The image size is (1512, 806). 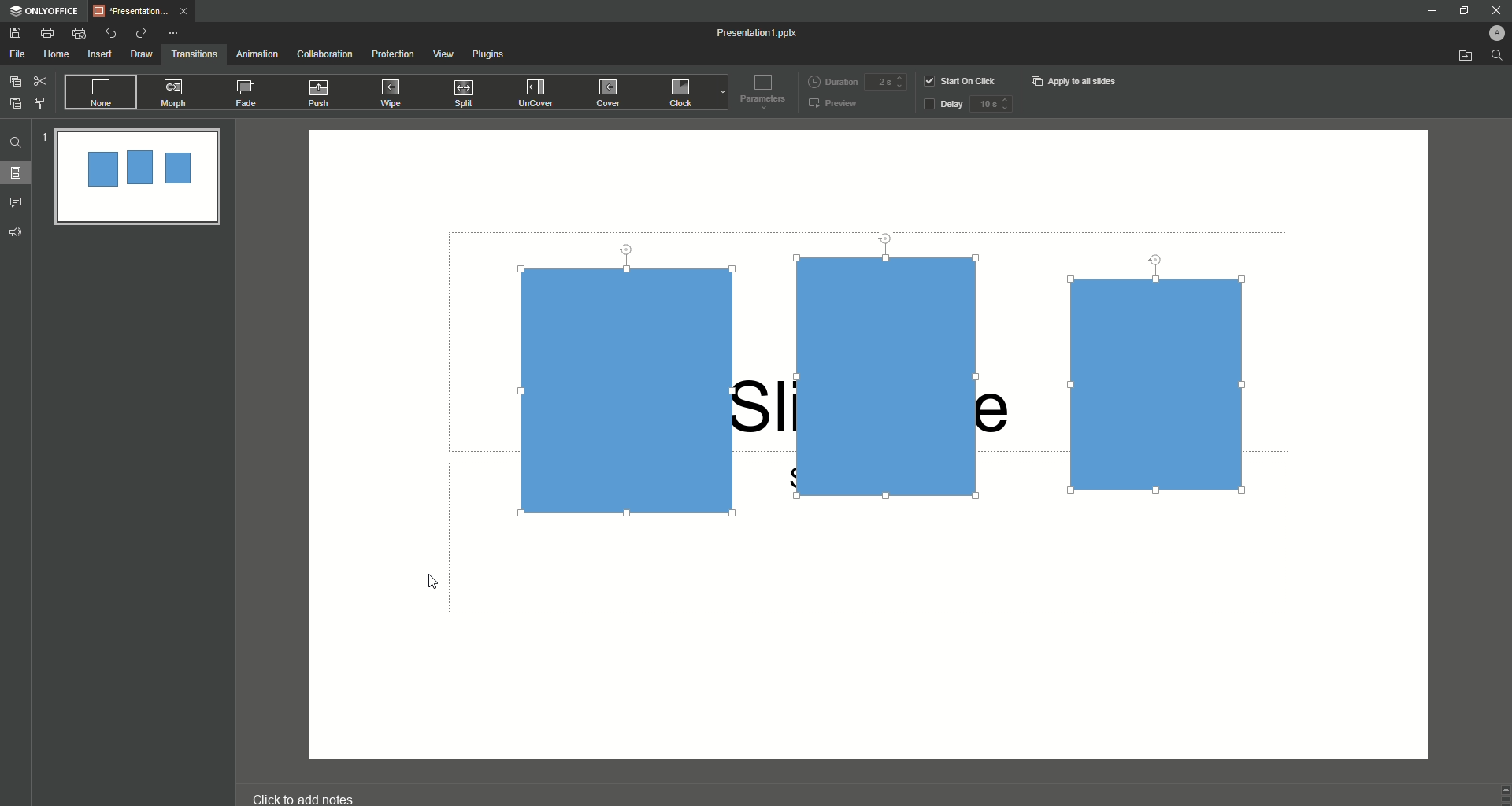 What do you see at coordinates (435, 582) in the screenshot?
I see `Cursor` at bounding box center [435, 582].